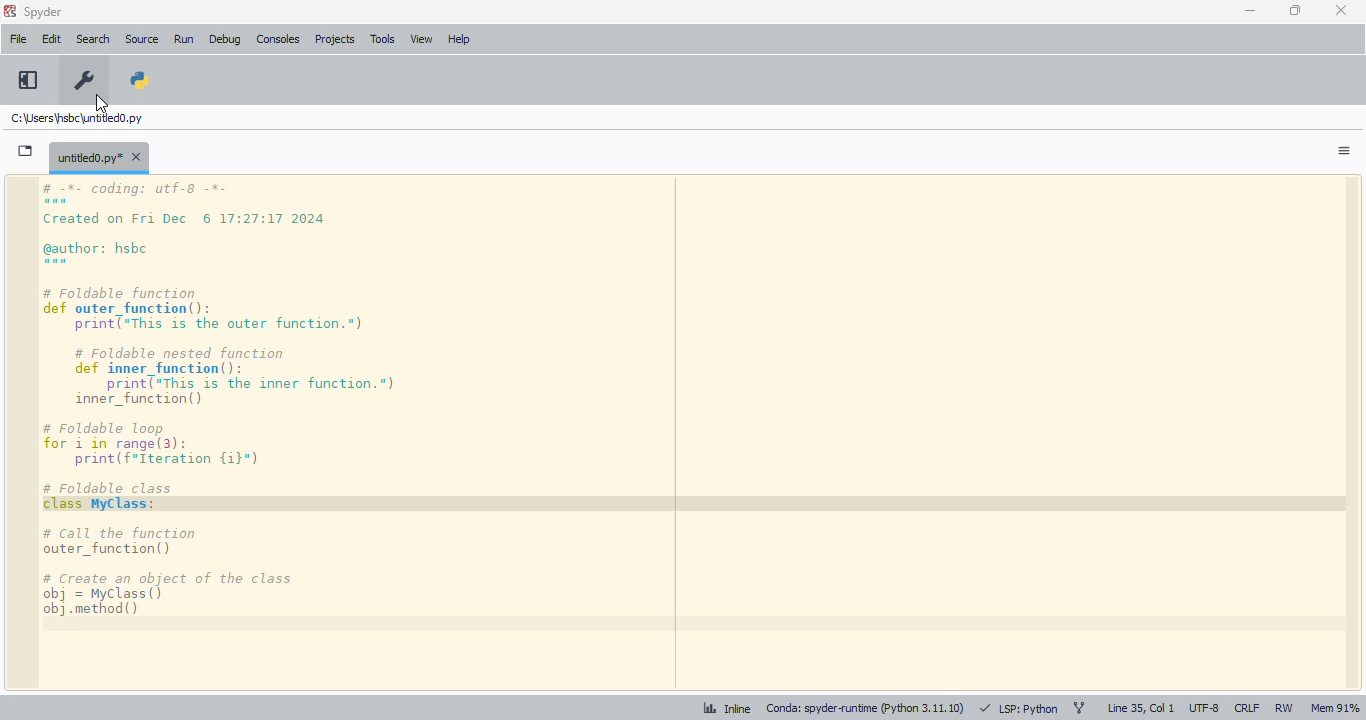 This screenshot has width=1366, height=720. I want to click on projects, so click(336, 40).